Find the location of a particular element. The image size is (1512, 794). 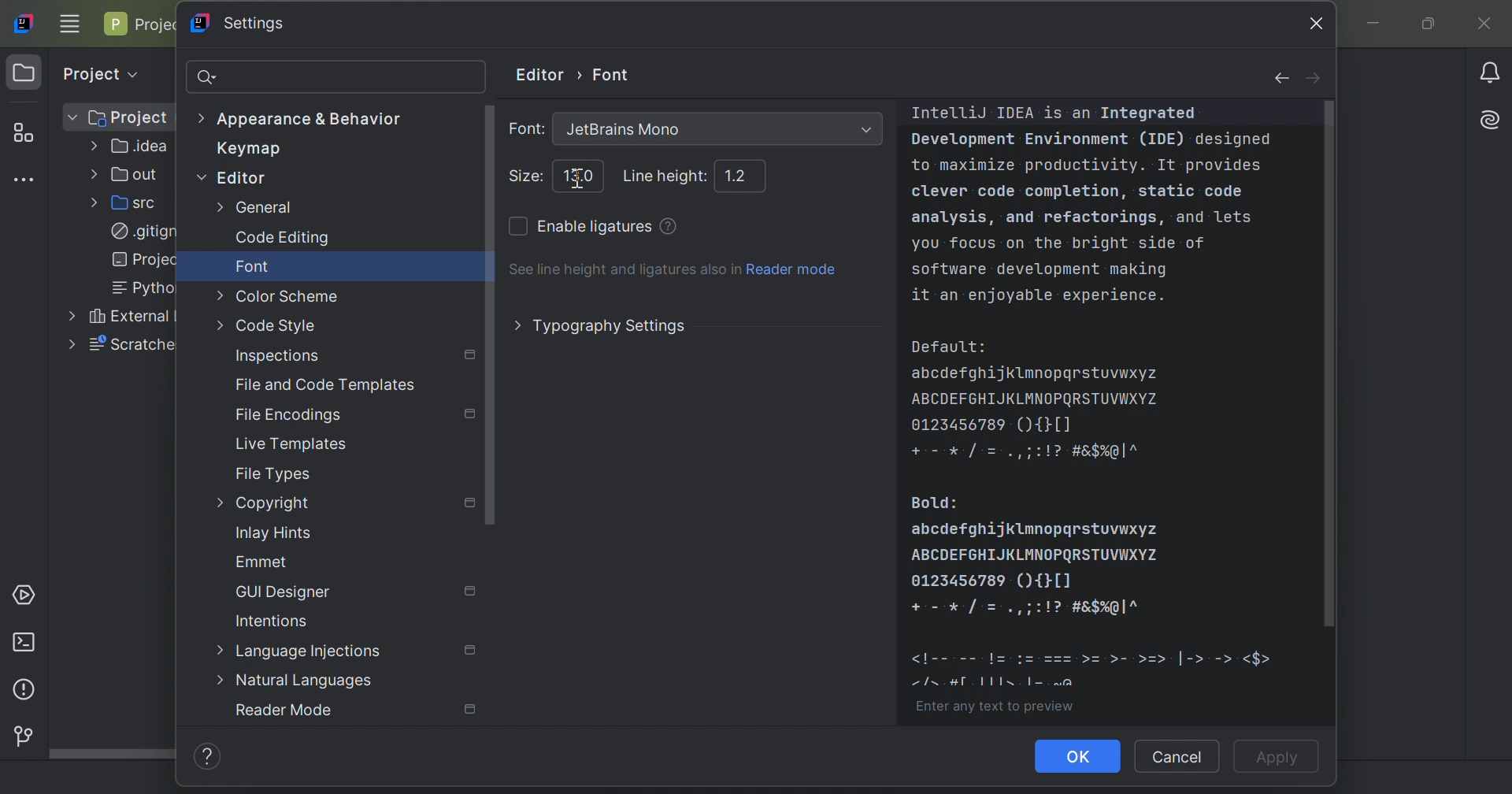

Copyright is located at coordinates (265, 504).